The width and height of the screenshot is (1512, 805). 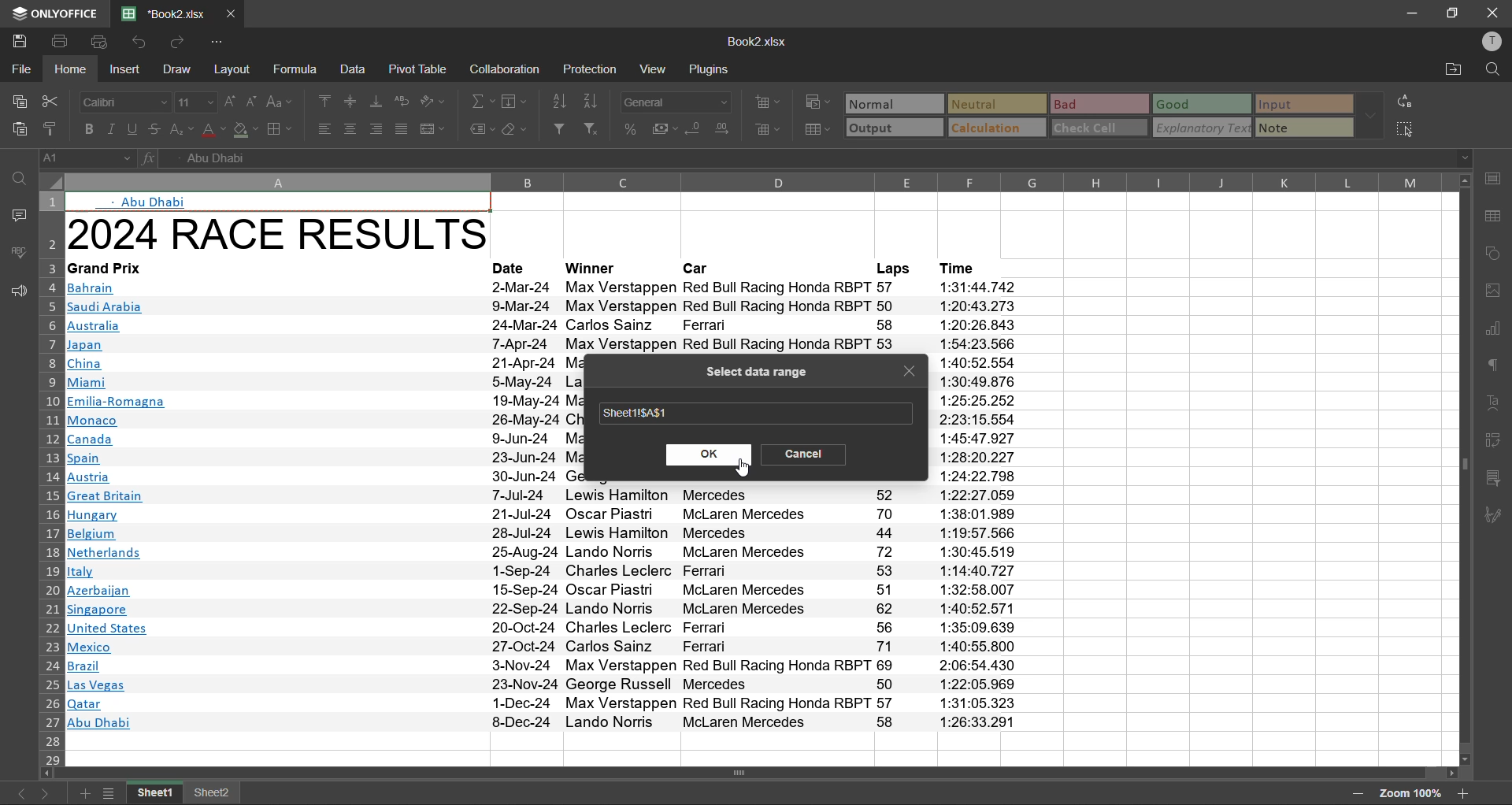 I want to click on select all, so click(x=1406, y=129).